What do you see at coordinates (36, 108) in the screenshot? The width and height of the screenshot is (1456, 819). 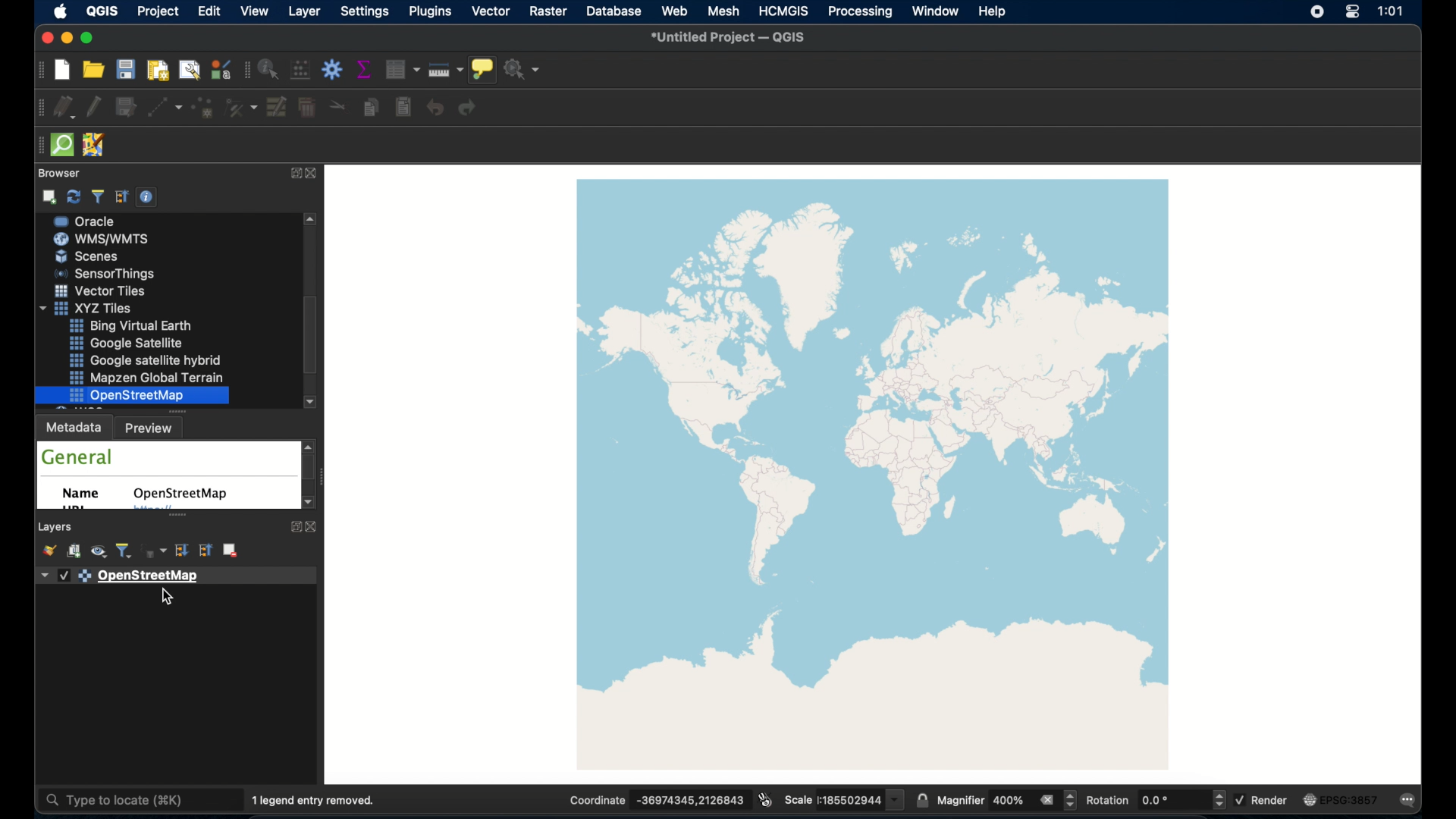 I see `digitizing toolbar` at bounding box center [36, 108].